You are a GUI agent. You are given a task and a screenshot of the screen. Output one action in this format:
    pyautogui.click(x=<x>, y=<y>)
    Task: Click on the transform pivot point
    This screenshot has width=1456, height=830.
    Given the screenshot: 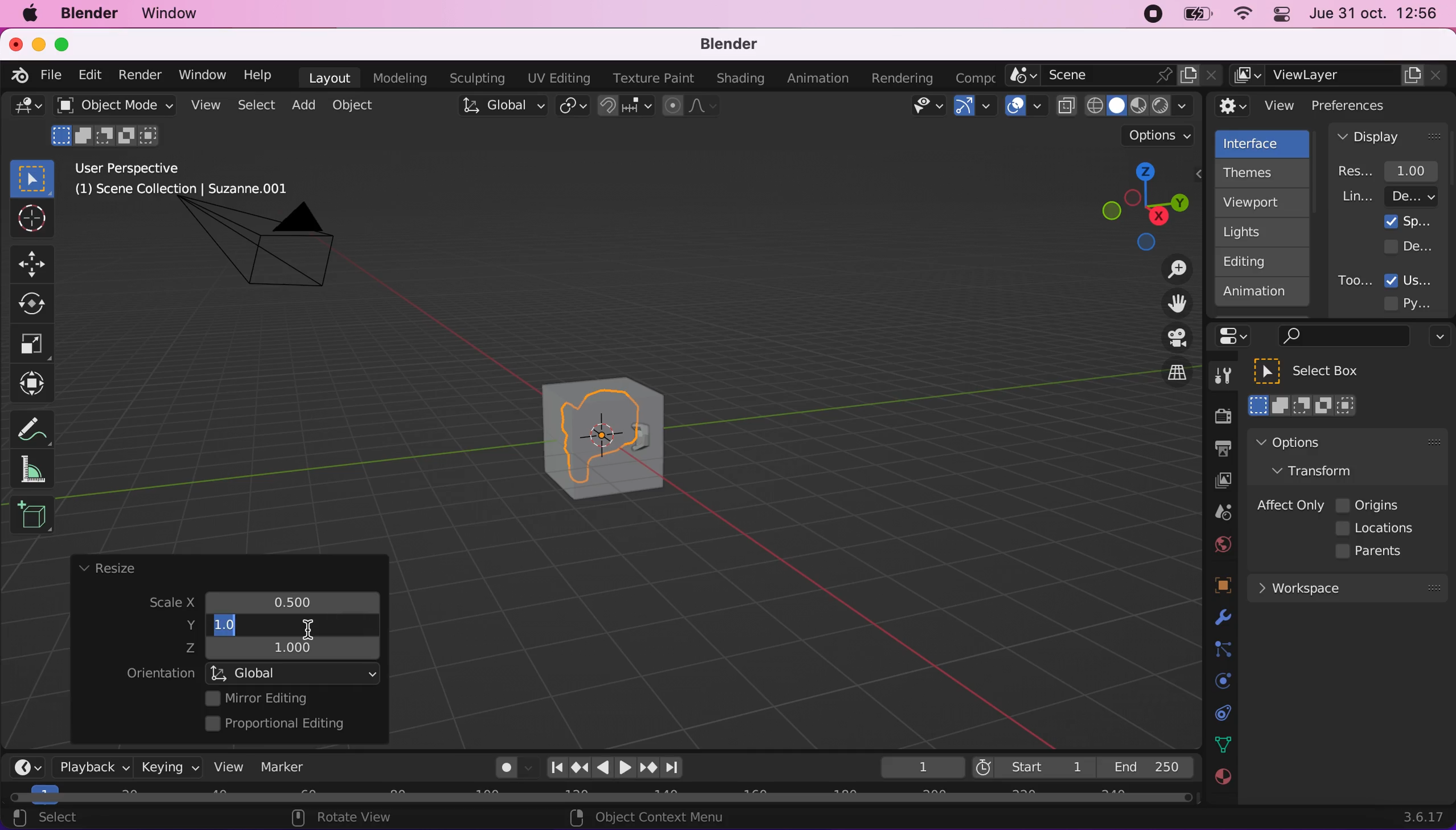 What is the action you would take?
    pyautogui.click(x=574, y=107)
    